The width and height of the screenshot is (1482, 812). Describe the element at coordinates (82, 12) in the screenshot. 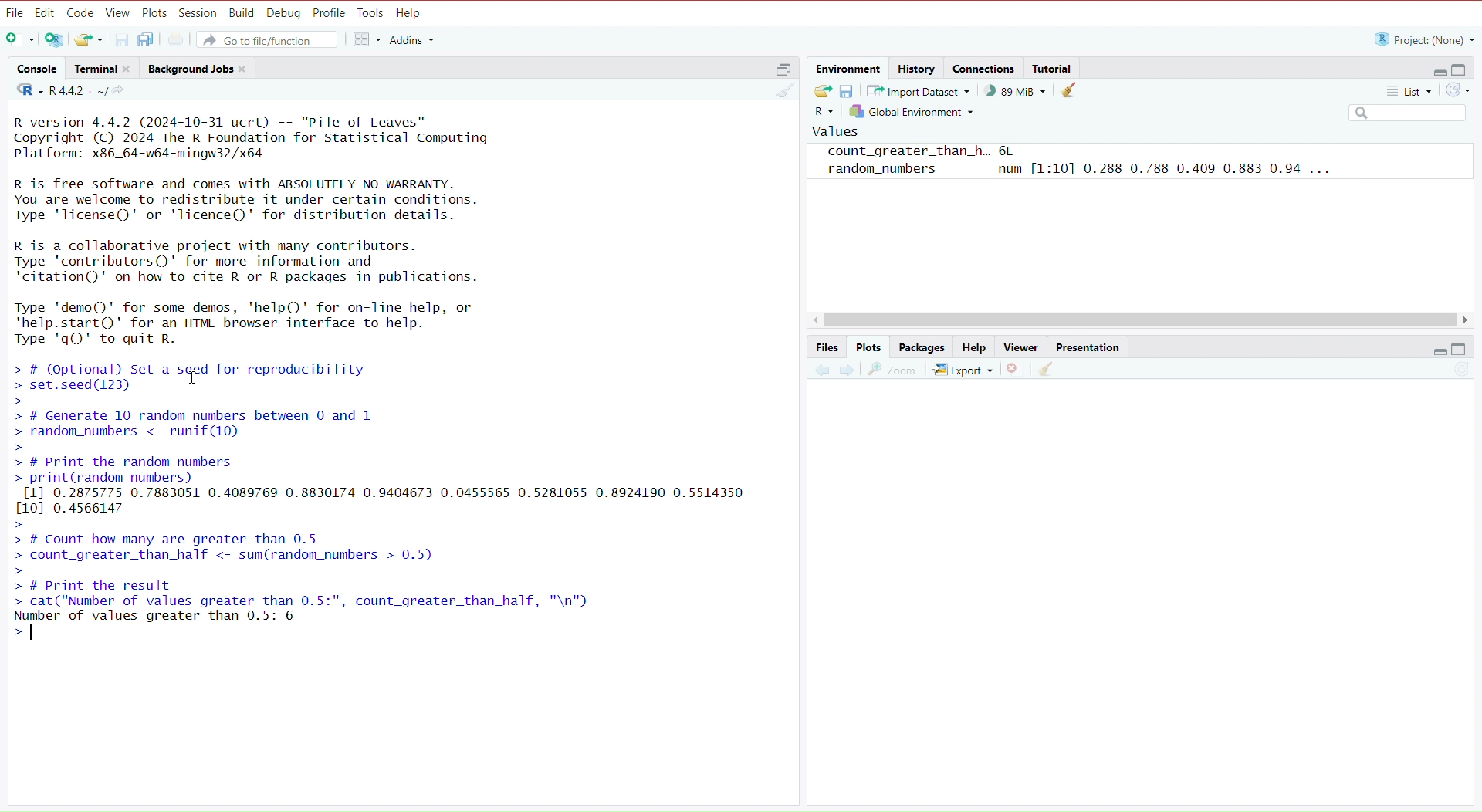

I see `Code` at that location.